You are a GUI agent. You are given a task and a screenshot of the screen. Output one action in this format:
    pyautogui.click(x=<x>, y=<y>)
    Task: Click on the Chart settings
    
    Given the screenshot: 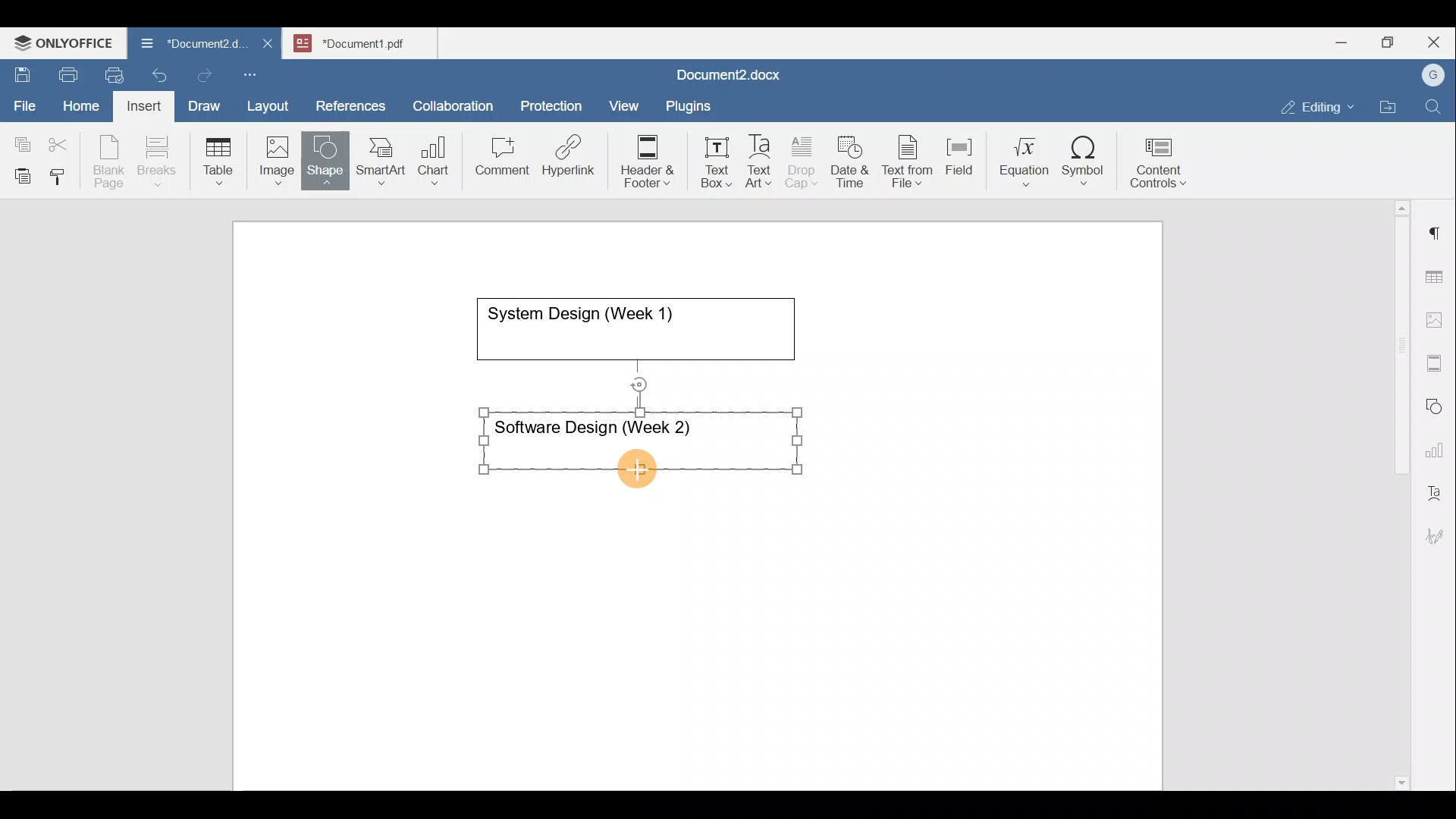 What is the action you would take?
    pyautogui.click(x=1438, y=444)
    